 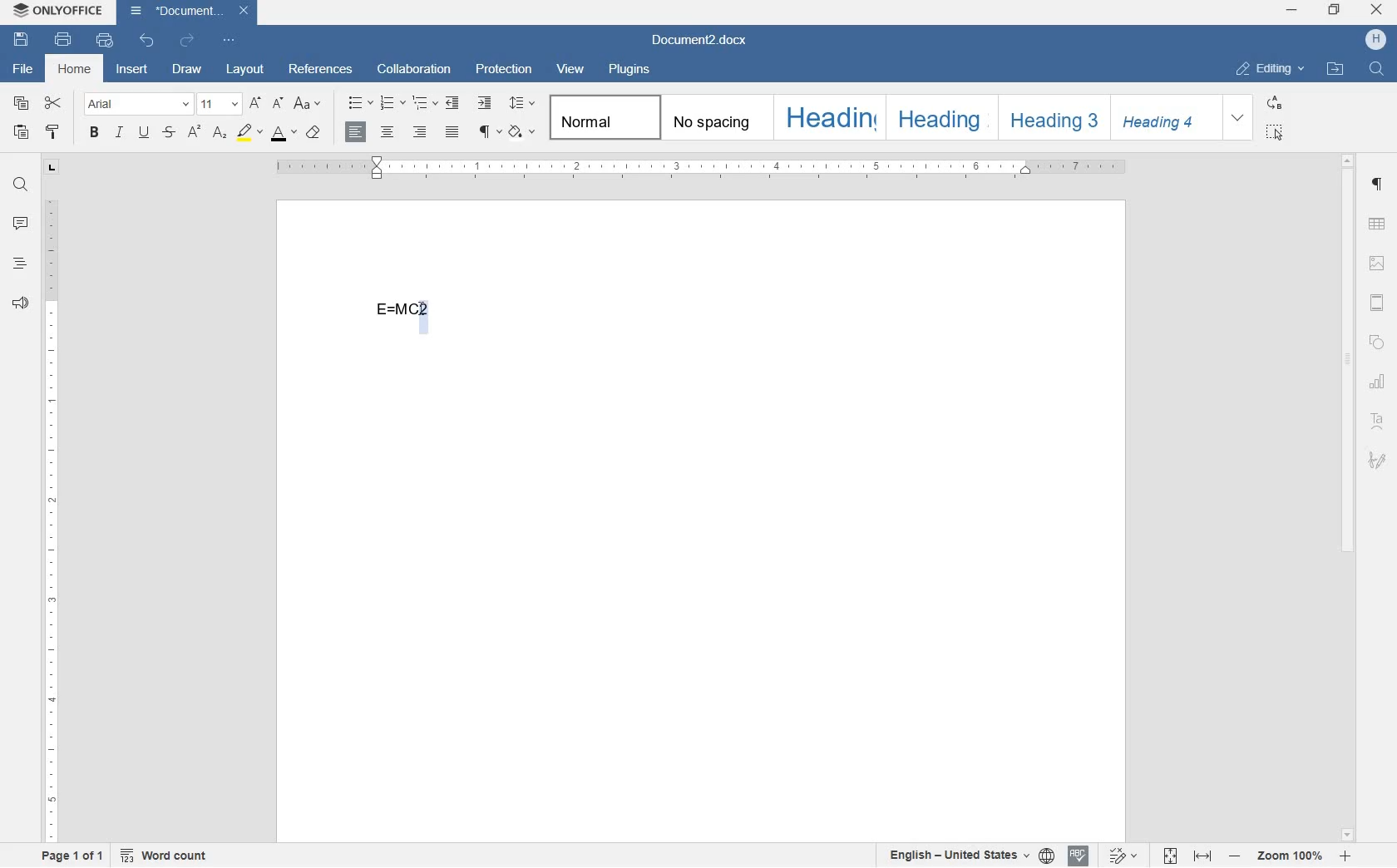 What do you see at coordinates (315, 135) in the screenshot?
I see `case style` at bounding box center [315, 135].